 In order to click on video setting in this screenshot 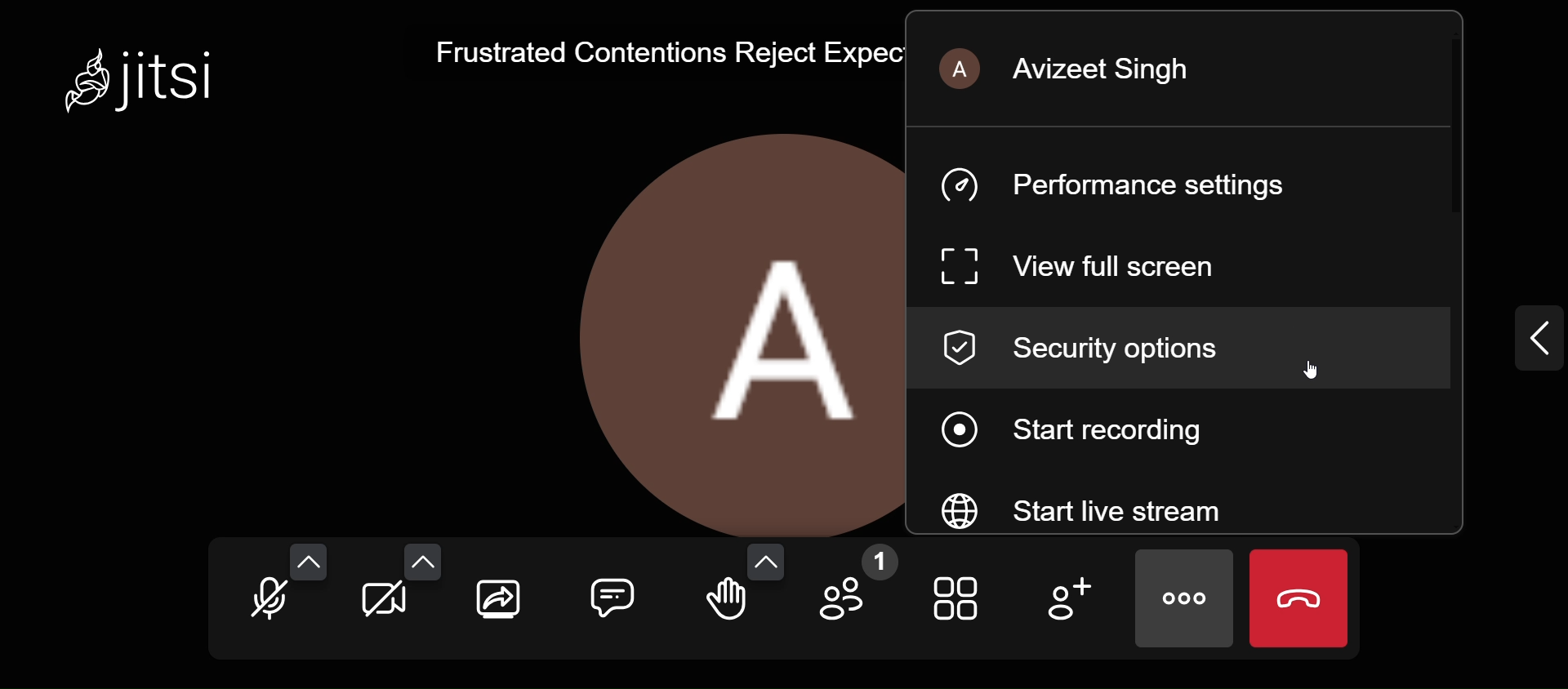, I will do `click(425, 562)`.